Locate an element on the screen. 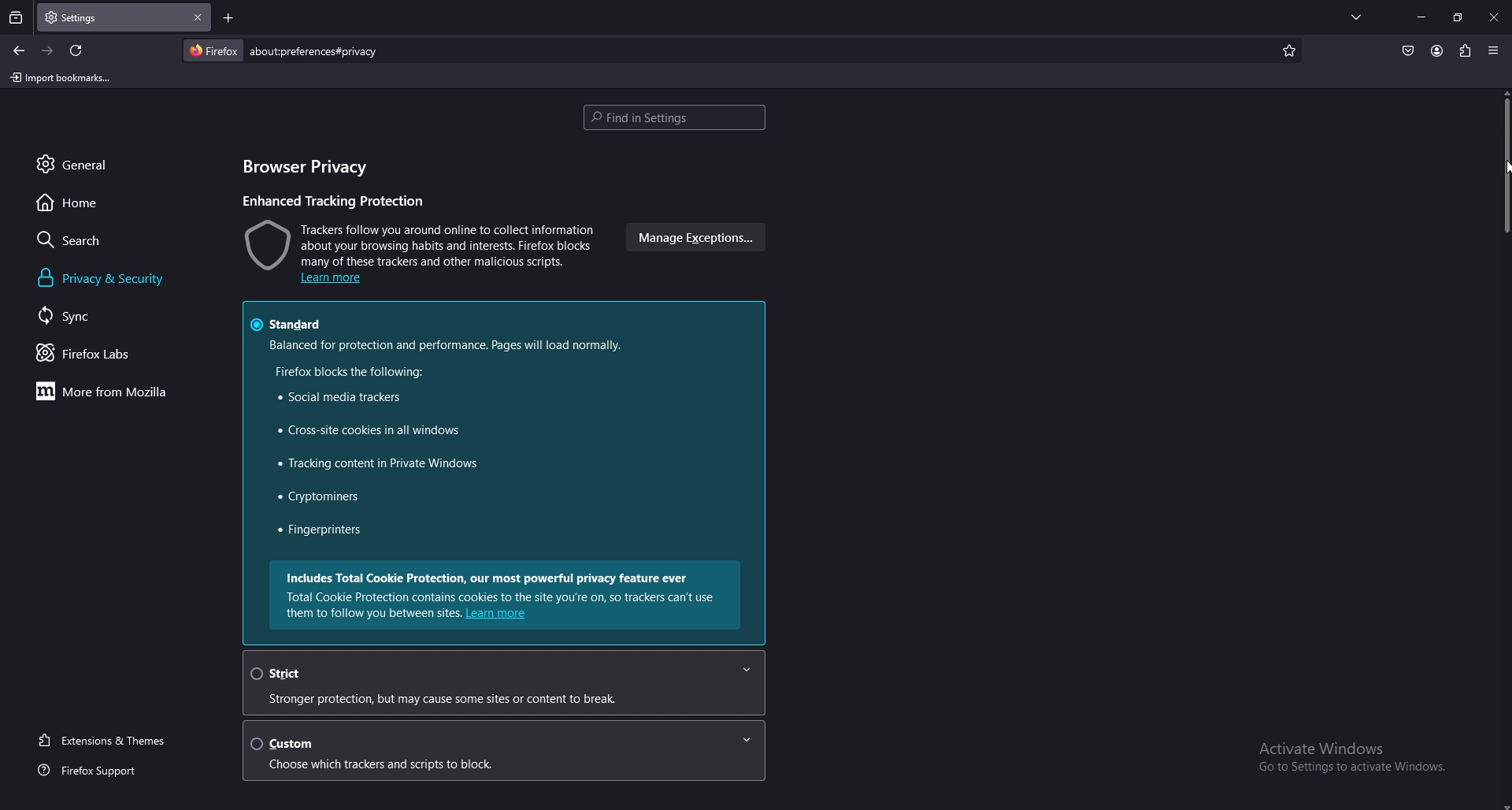 The width and height of the screenshot is (1512, 810). tab is located at coordinates (82, 18).